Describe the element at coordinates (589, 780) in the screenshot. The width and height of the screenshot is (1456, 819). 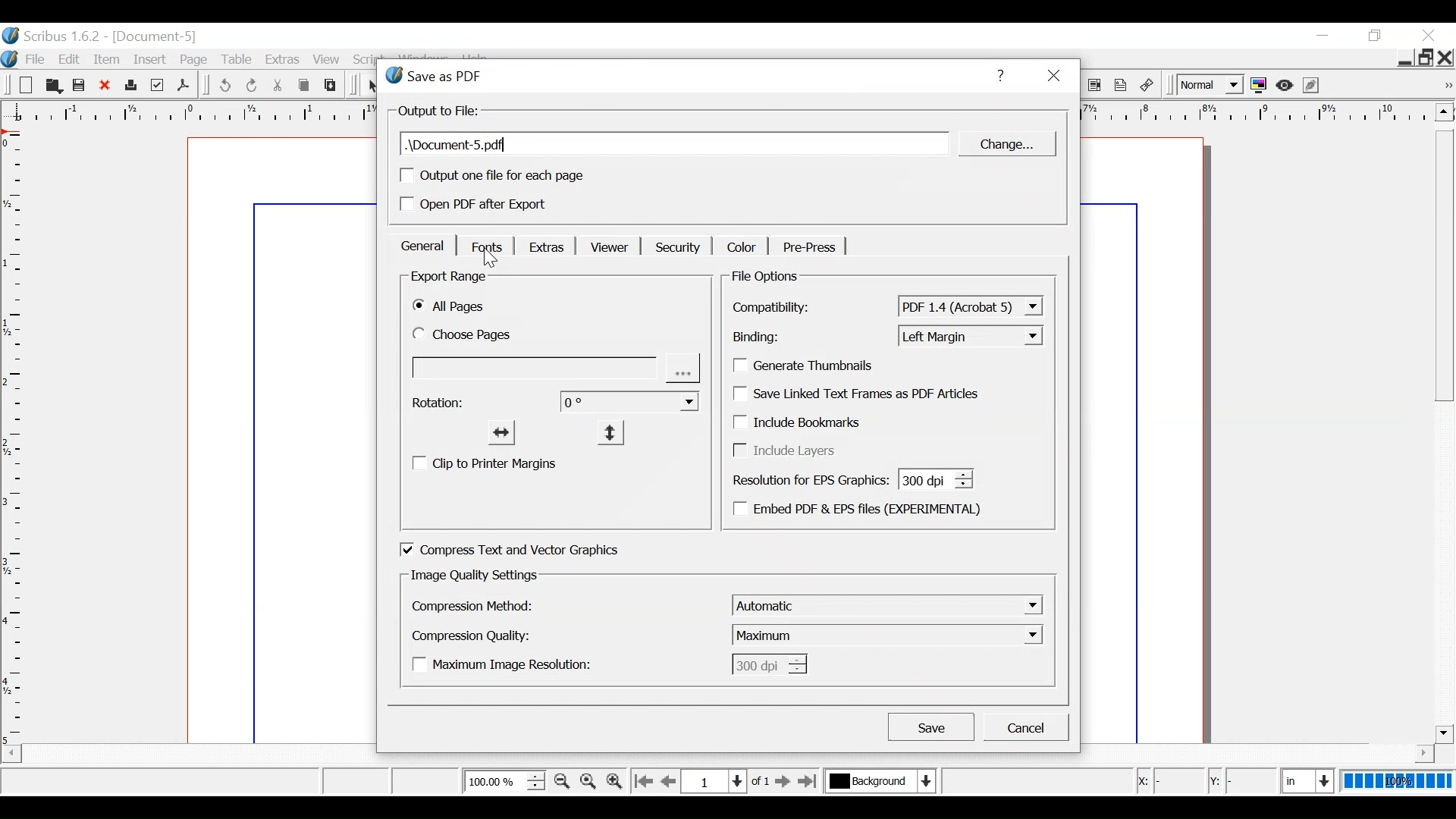
I see `Reset Zoom` at that location.